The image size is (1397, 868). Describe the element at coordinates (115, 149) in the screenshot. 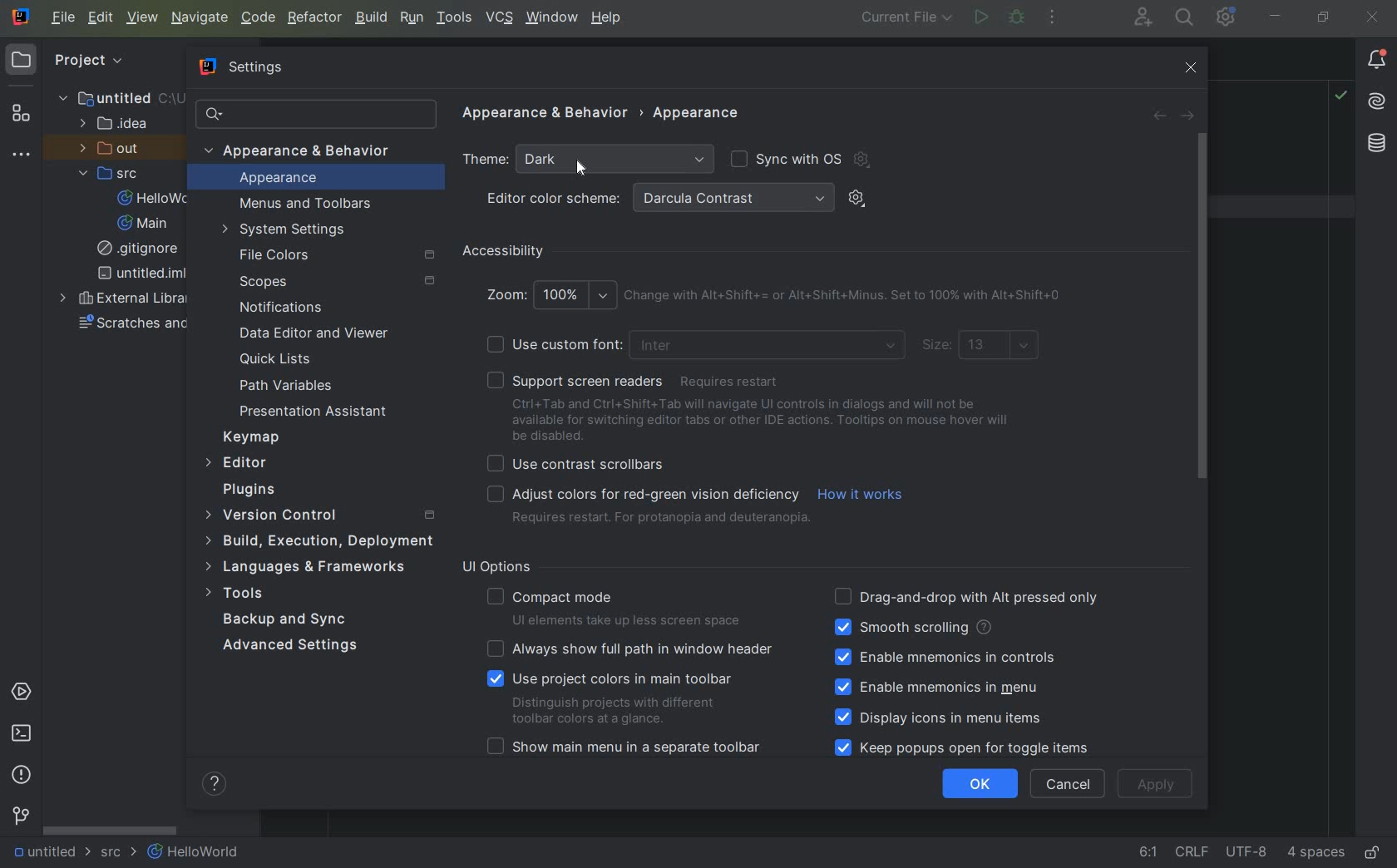

I see `OUT` at that location.